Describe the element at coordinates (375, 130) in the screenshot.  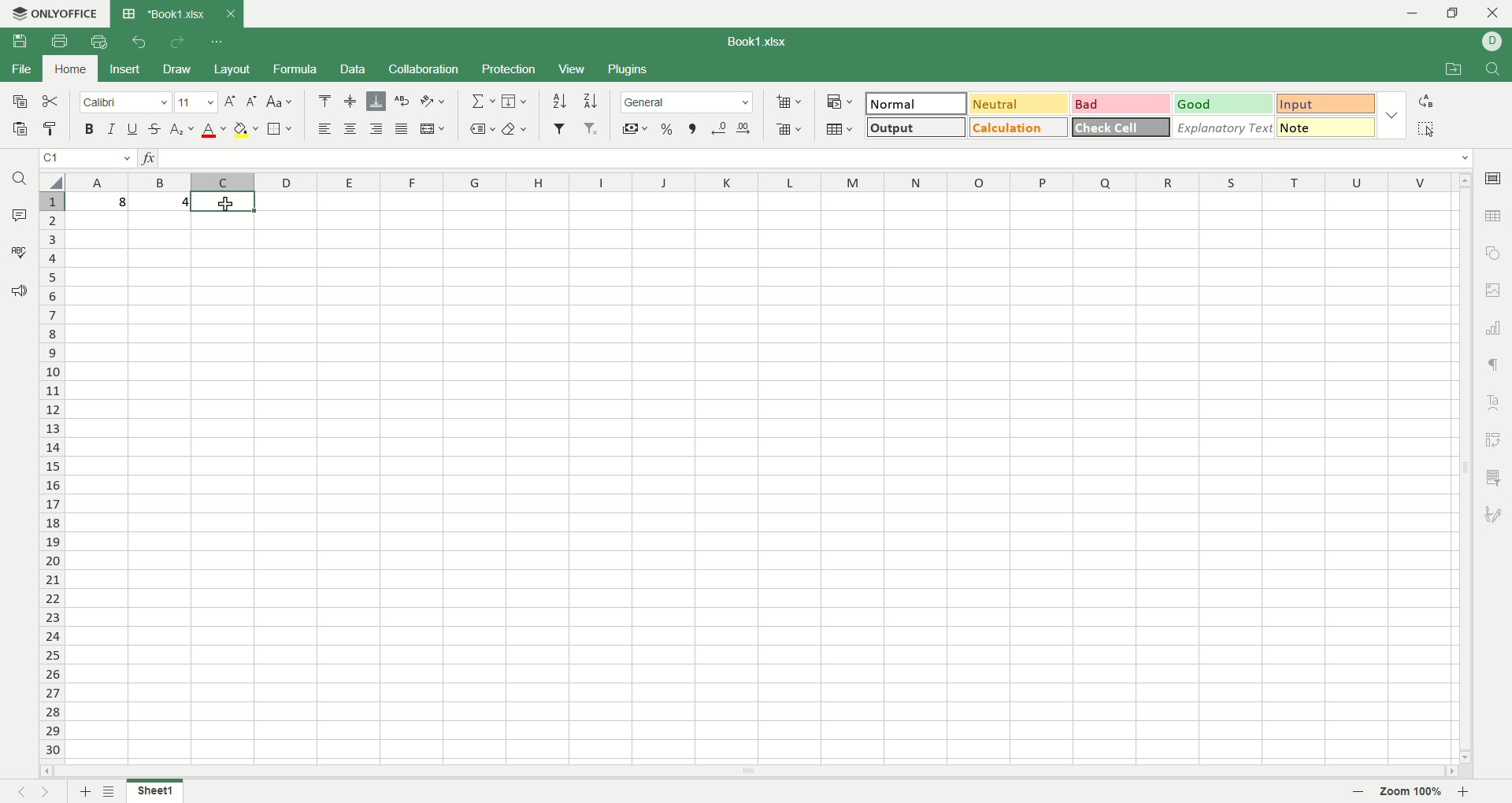
I see `align left` at that location.